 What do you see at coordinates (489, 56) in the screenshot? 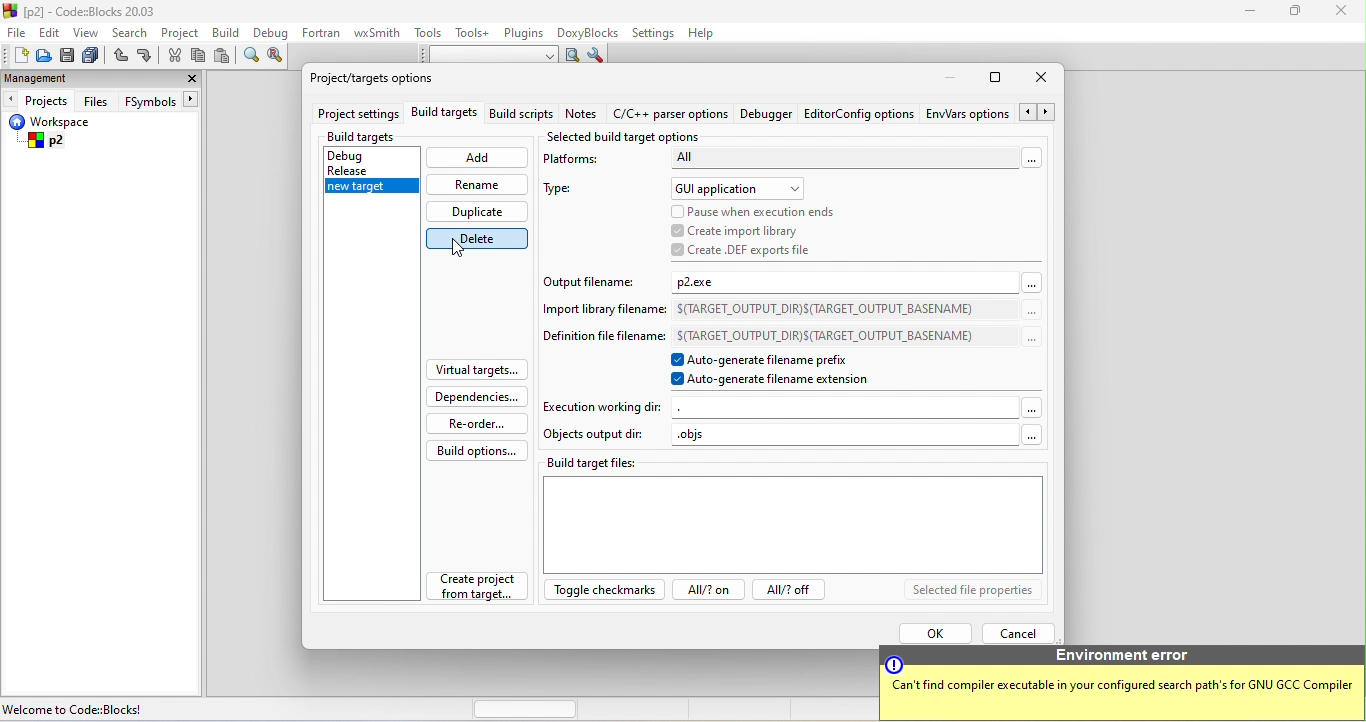
I see `text to search` at bounding box center [489, 56].